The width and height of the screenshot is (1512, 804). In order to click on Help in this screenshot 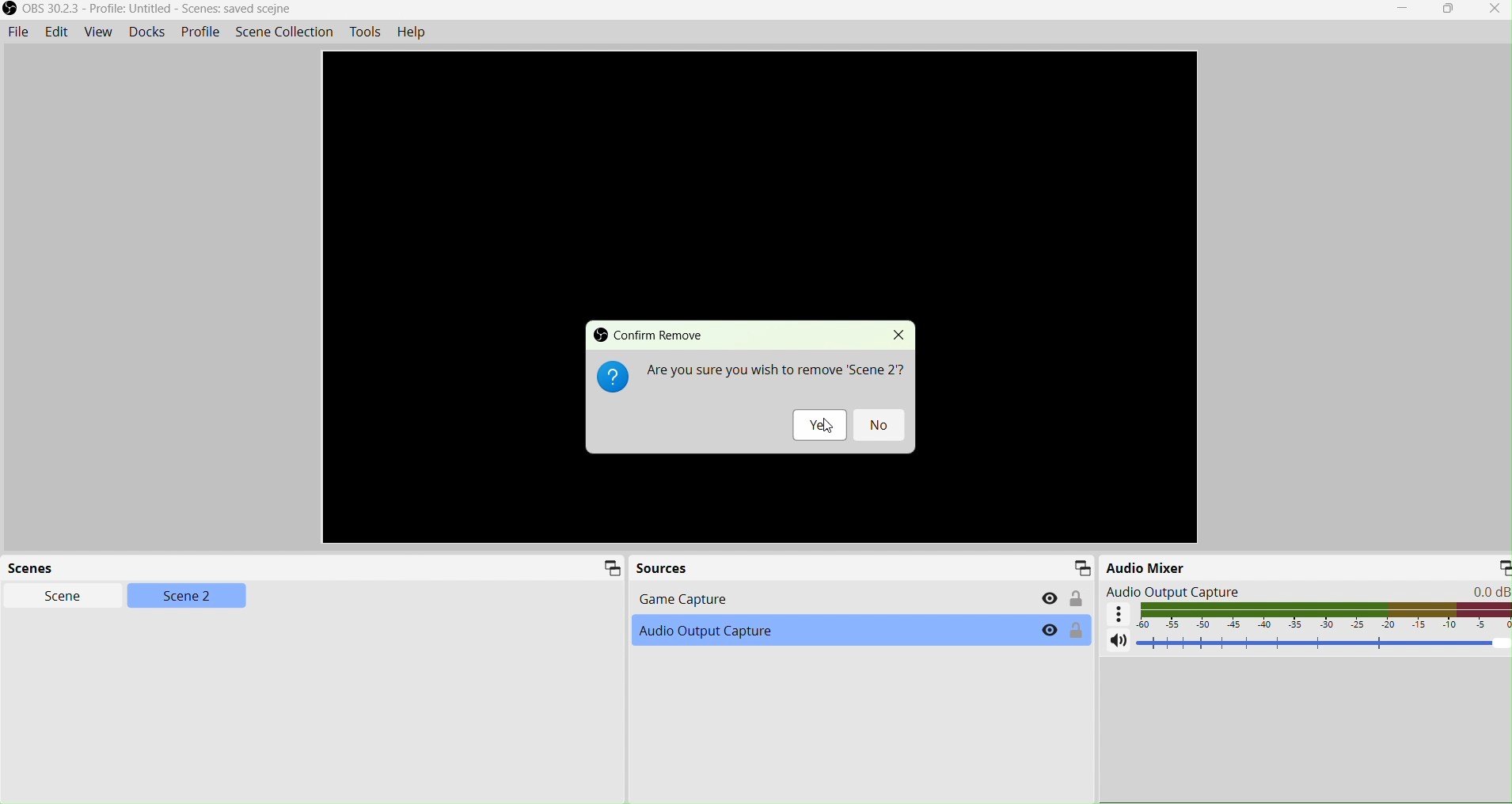, I will do `click(412, 32)`.